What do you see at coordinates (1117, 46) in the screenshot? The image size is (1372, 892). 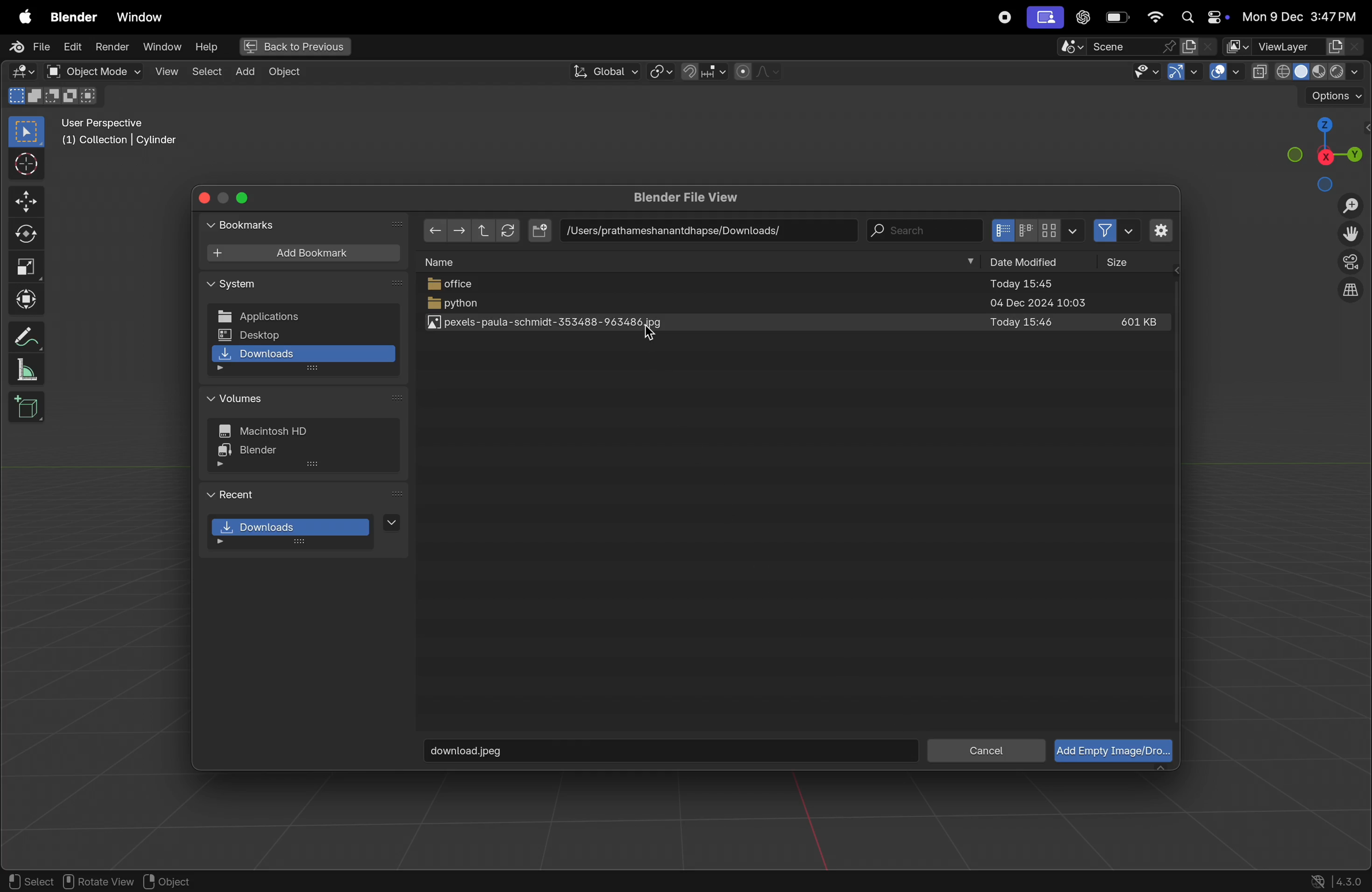 I see `score` at bounding box center [1117, 46].